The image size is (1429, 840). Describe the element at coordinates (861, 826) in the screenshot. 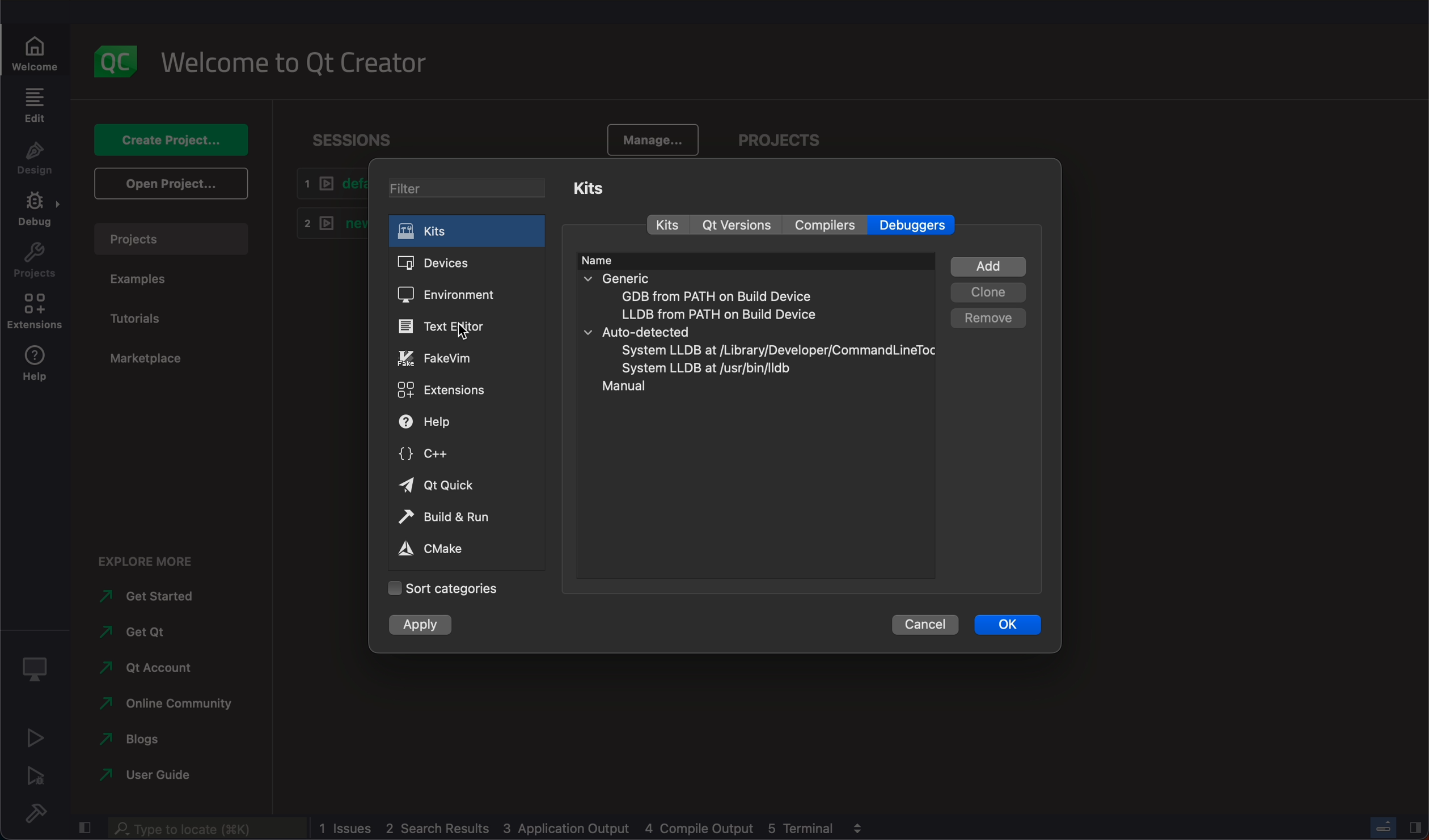

I see `view output` at that location.